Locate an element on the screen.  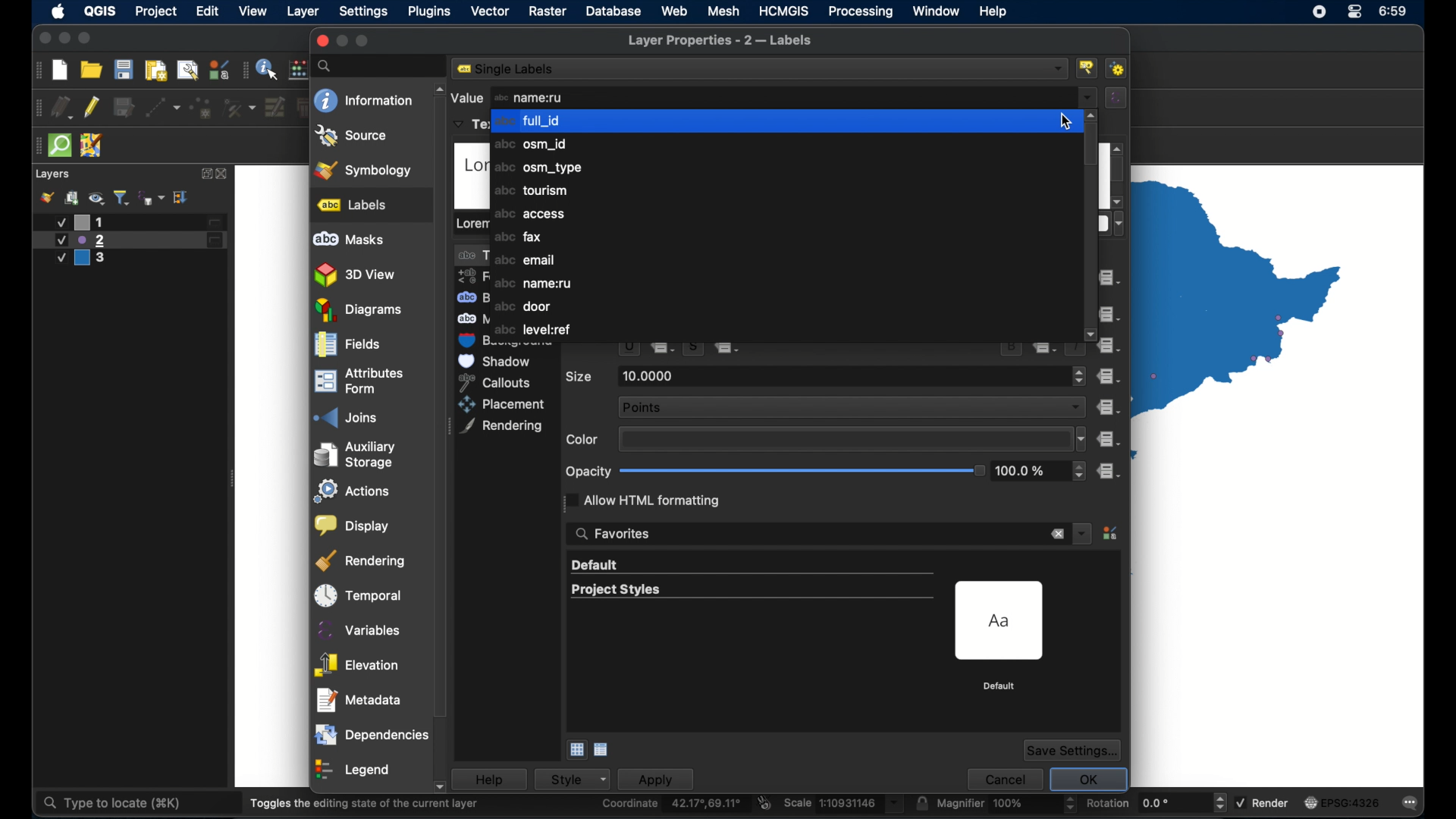
temporal is located at coordinates (359, 591).